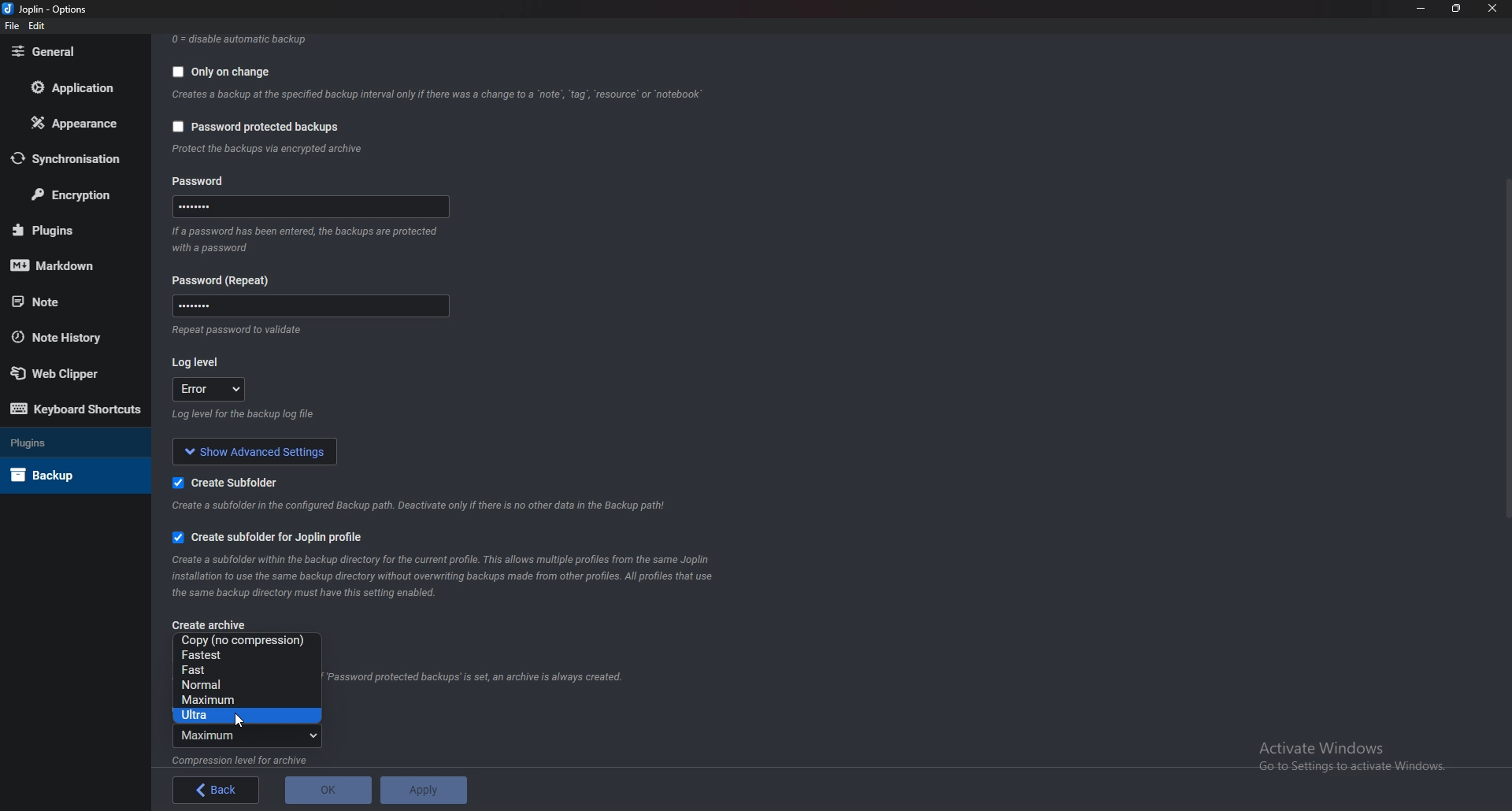 Image resolution: width=1512 pixels, height=811 pixels. Describe the element at coordinates (226, 70) in the screenshot. I see `Only on change` at that location.